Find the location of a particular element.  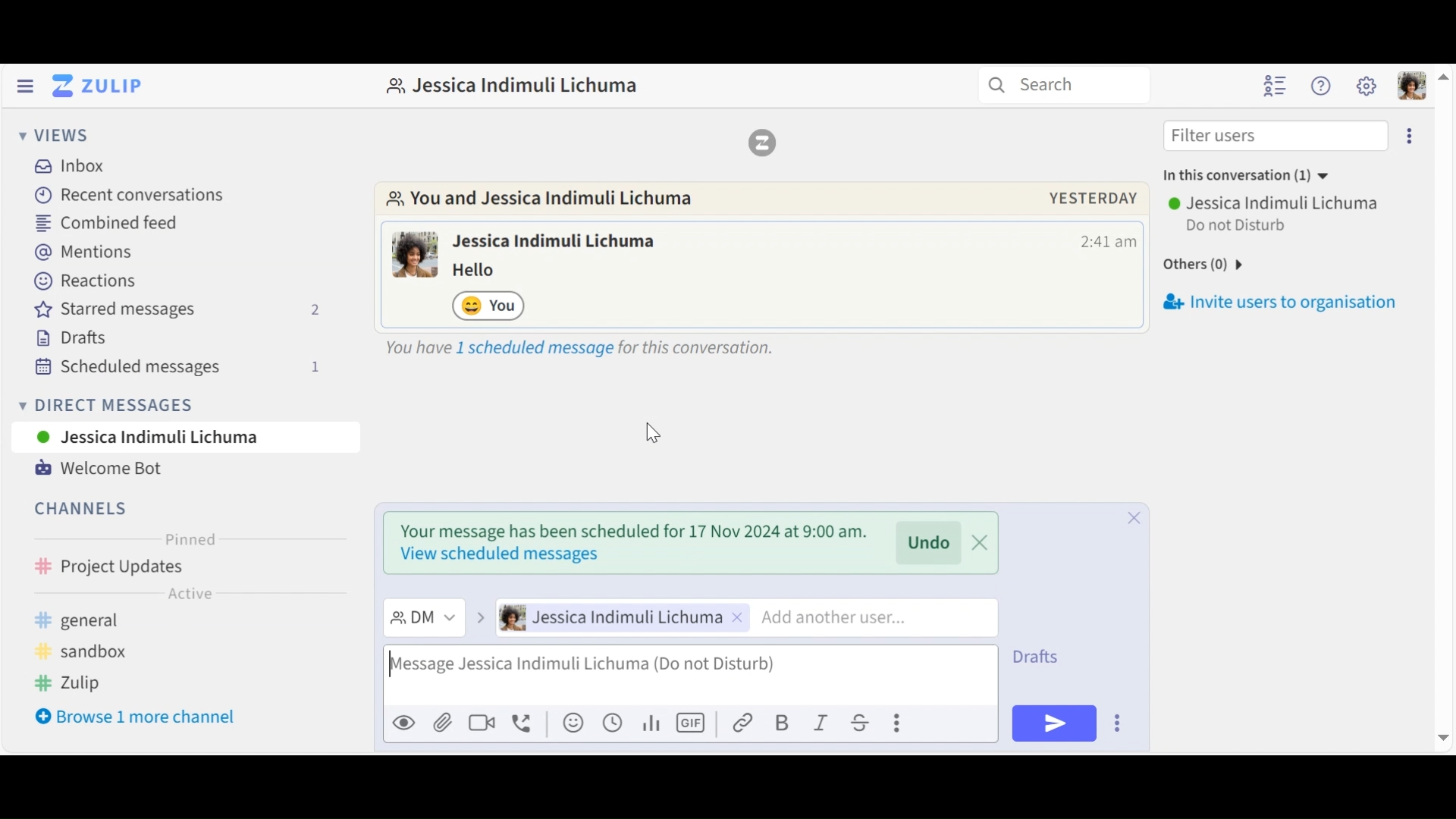

Drafts is located at coordinates (1049, 654).